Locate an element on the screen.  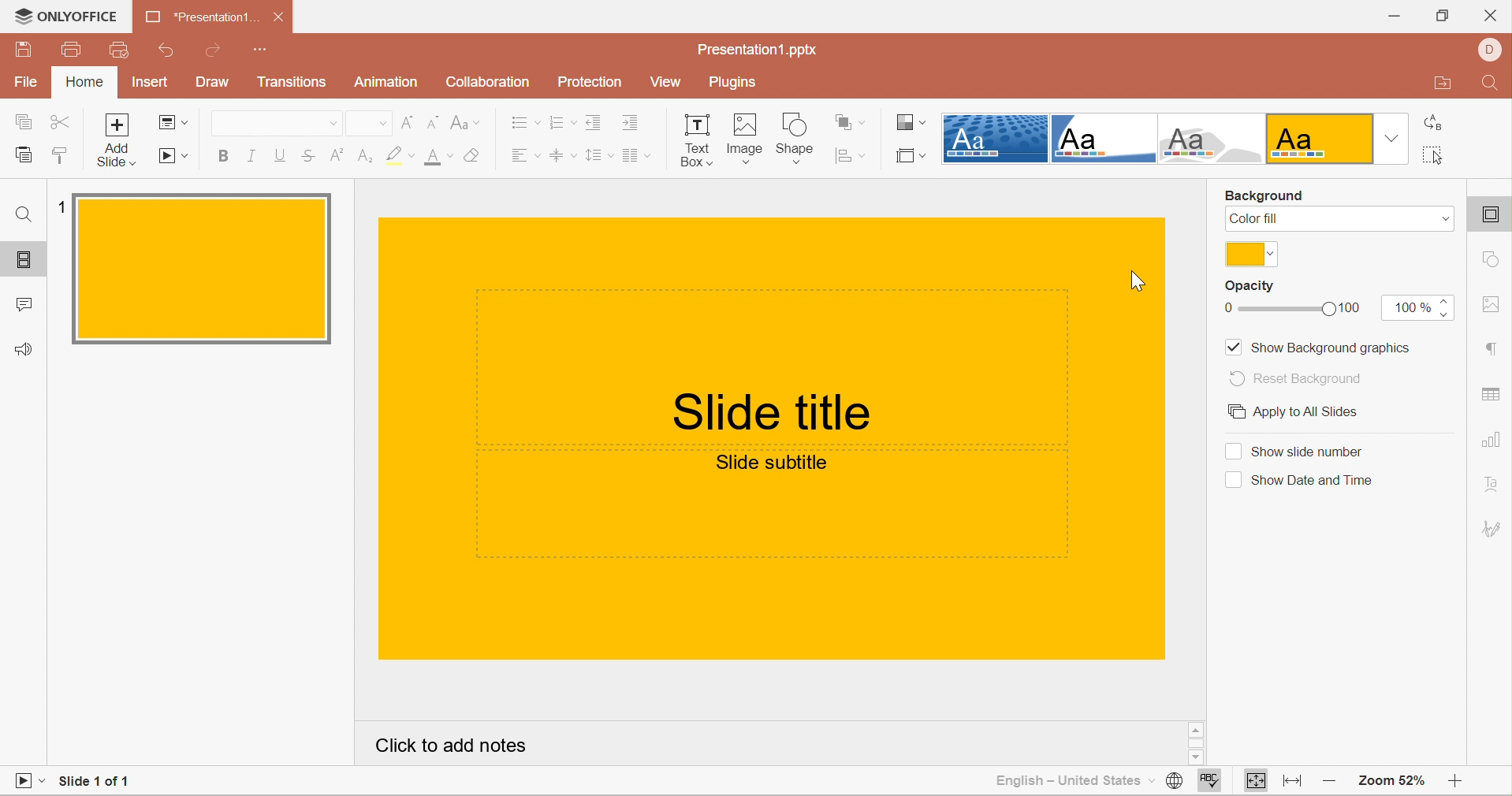
Collaboration is located at coordinates (487, 82).